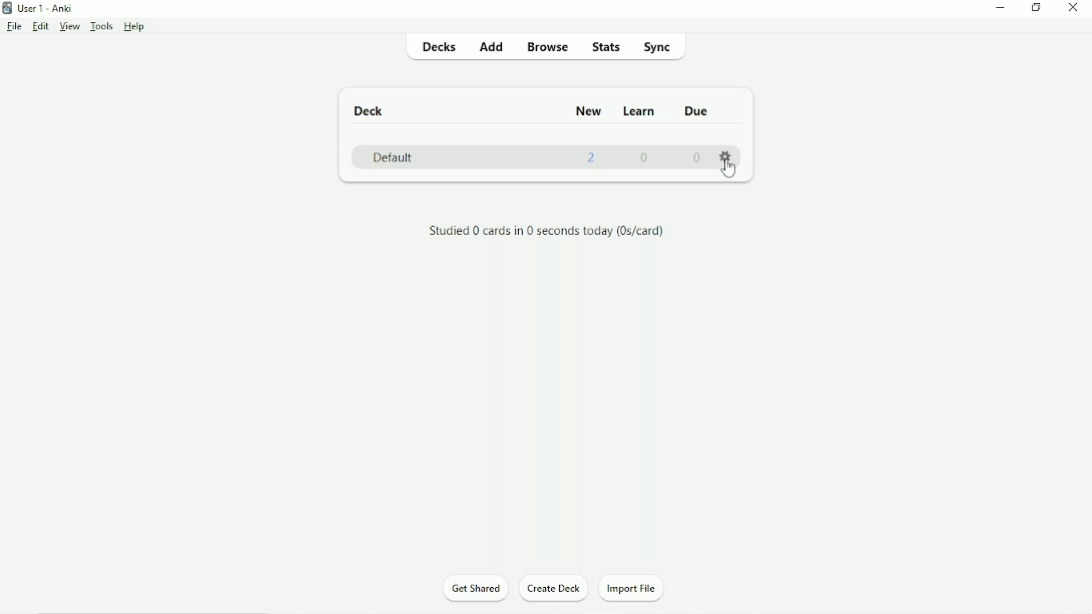  Describe the element at coordinates (136, 27) in the screenshot. I see `Help` at that location.